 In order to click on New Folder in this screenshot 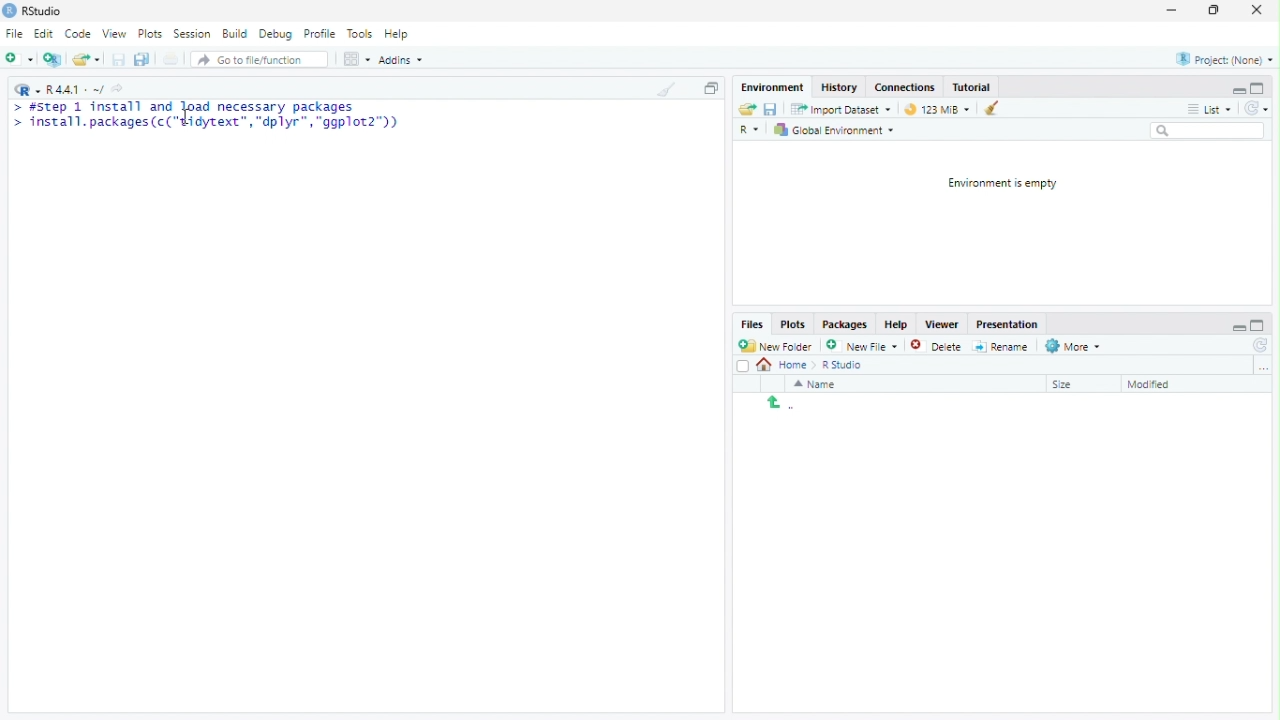, I will do `click(775, 346)`.